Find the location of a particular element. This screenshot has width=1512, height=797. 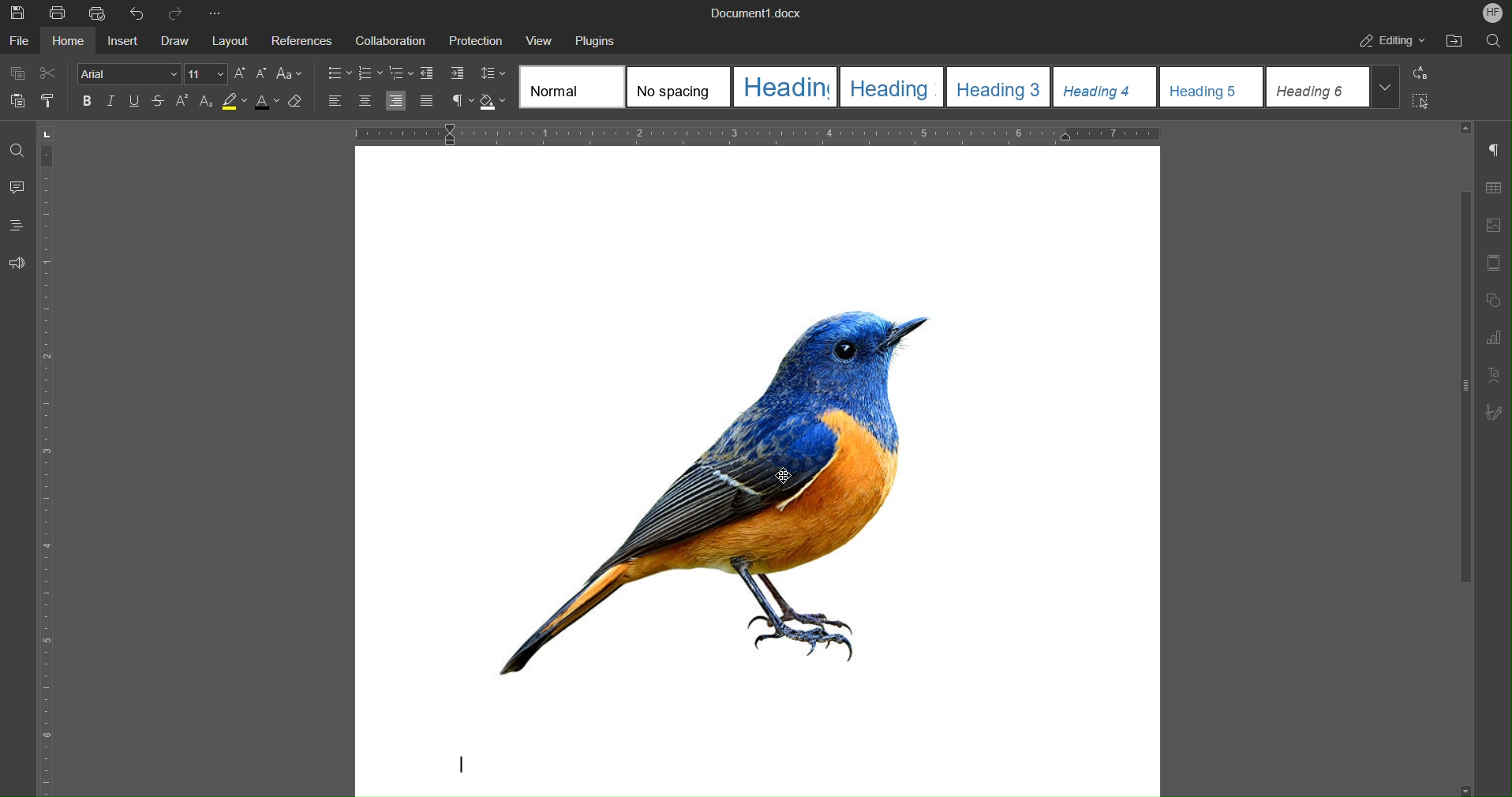

Heading 6 is located at coordinates (1334, 87).